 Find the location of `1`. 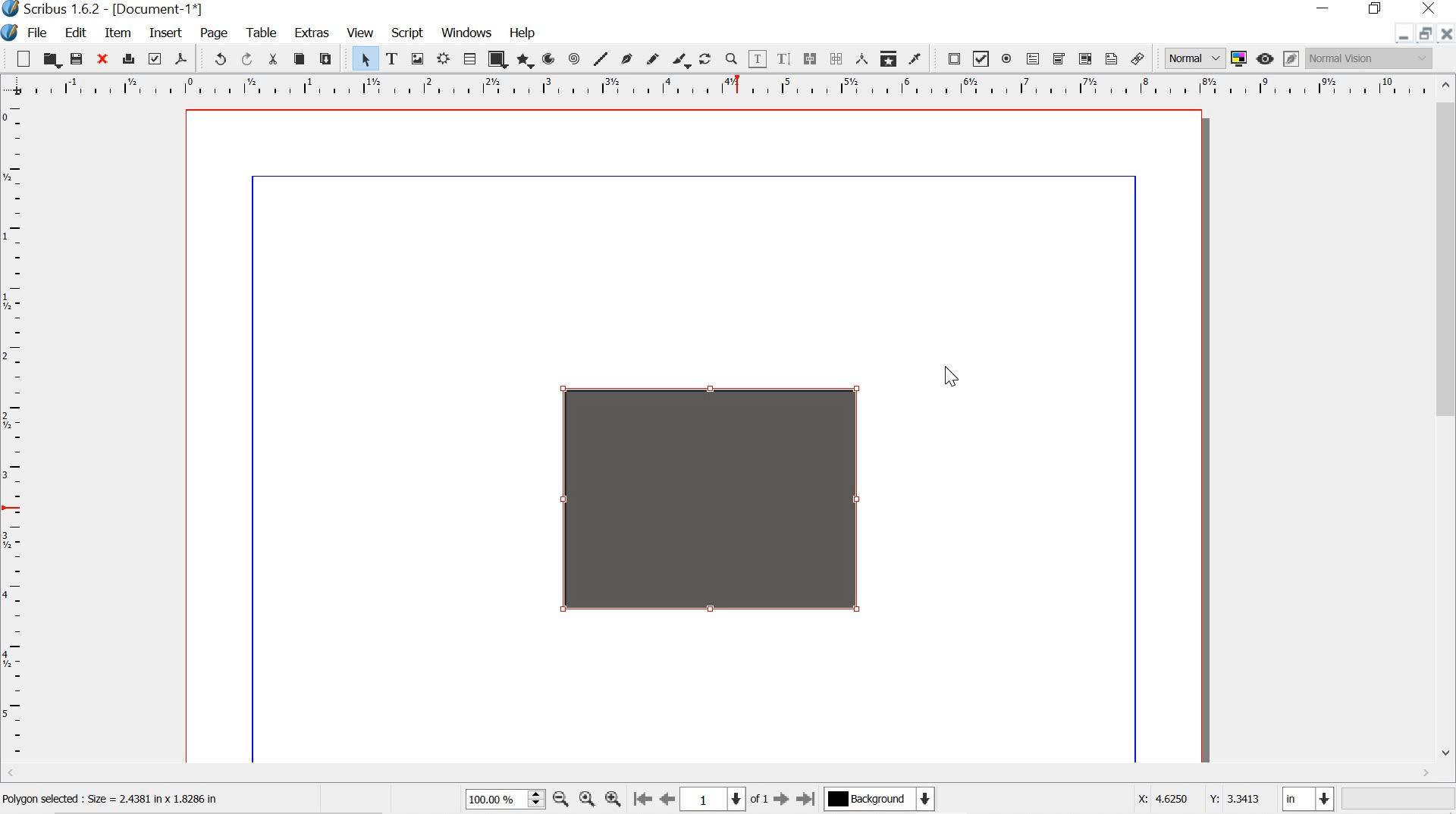

1 is located at coordinates (712, 800).